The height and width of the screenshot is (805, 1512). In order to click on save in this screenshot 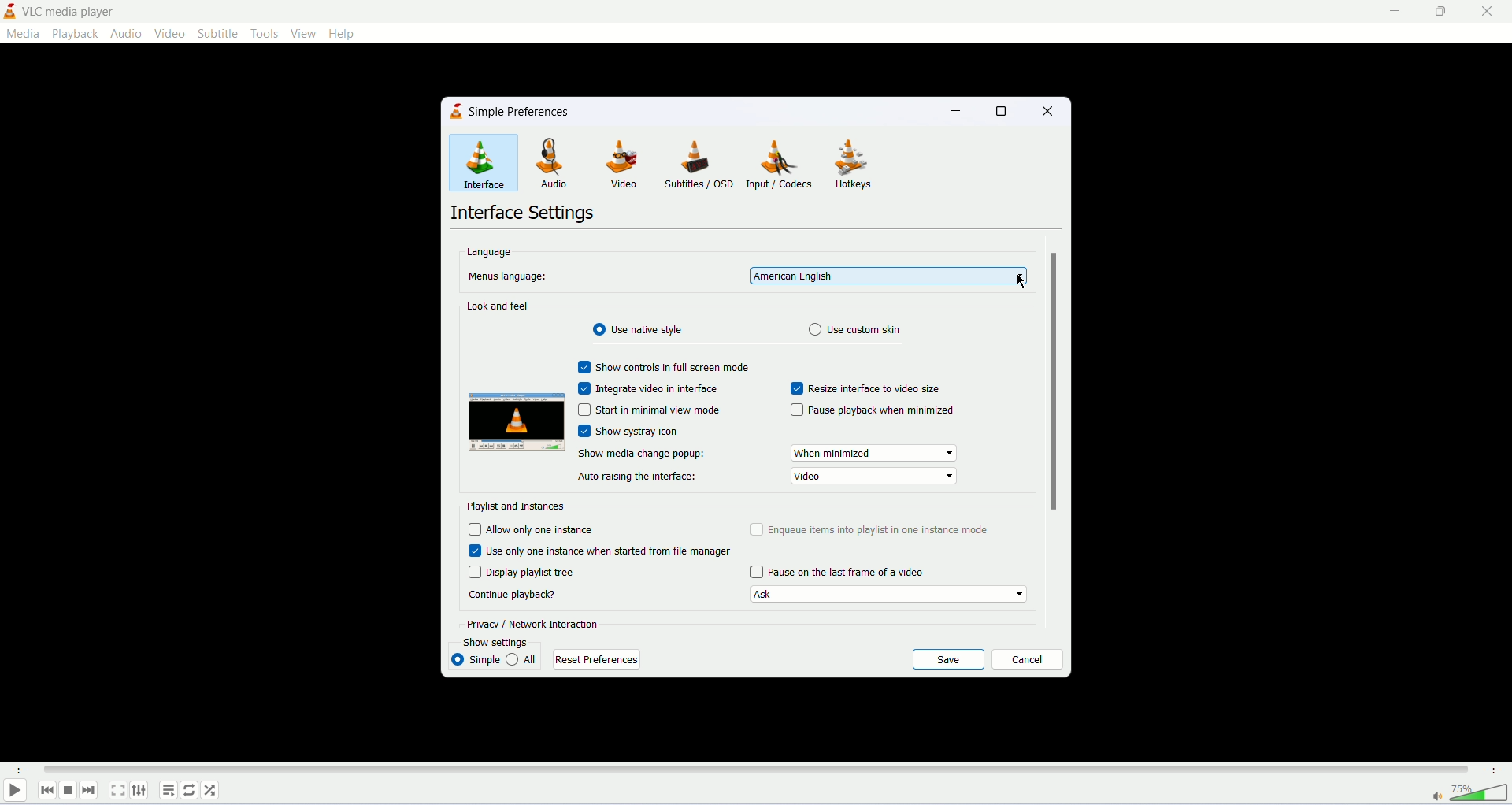, I will do `click(951, 659)`.